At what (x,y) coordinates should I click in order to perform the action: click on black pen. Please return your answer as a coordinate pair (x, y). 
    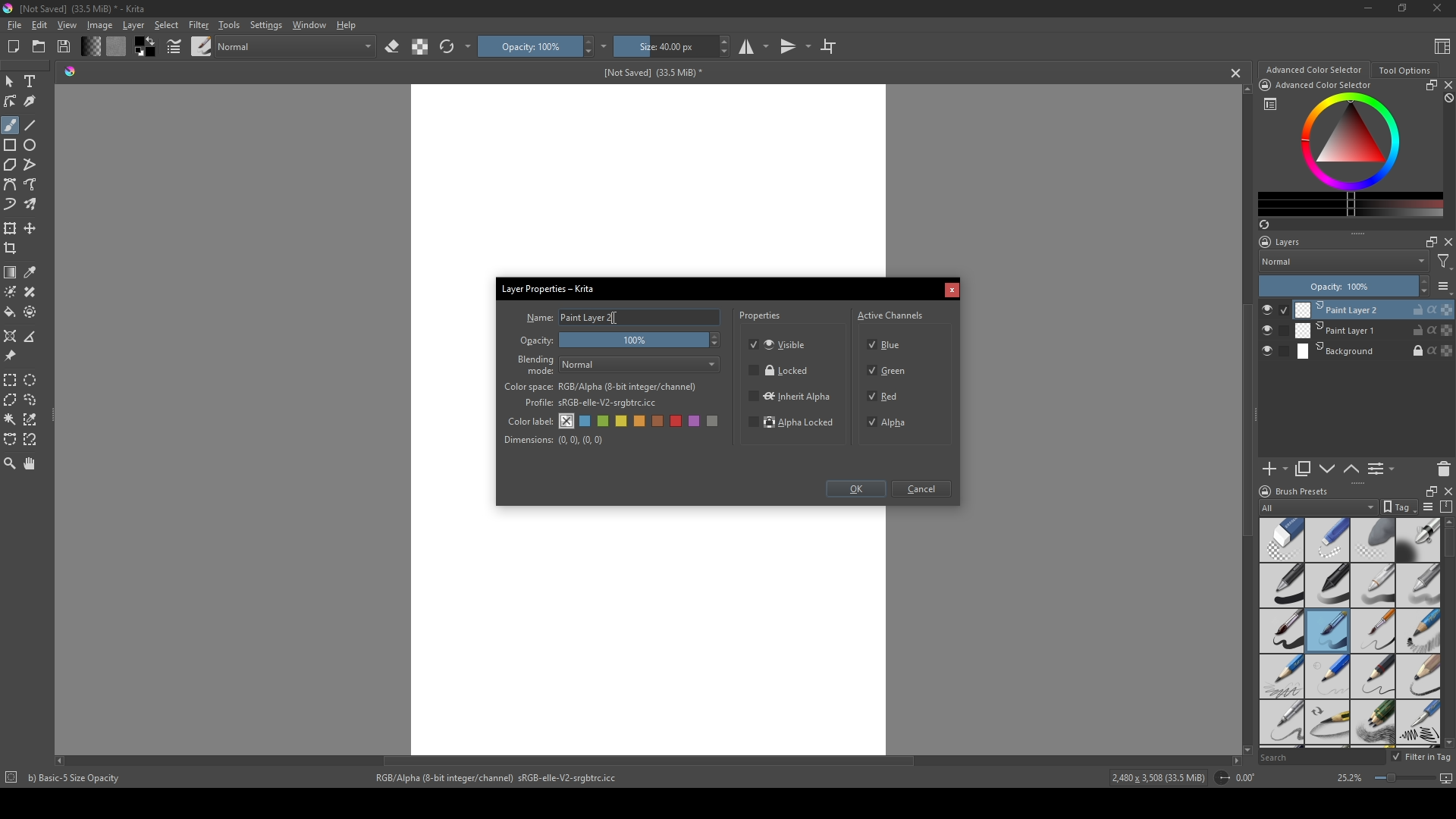
    Looking at the image, I should click on (1328, 585).